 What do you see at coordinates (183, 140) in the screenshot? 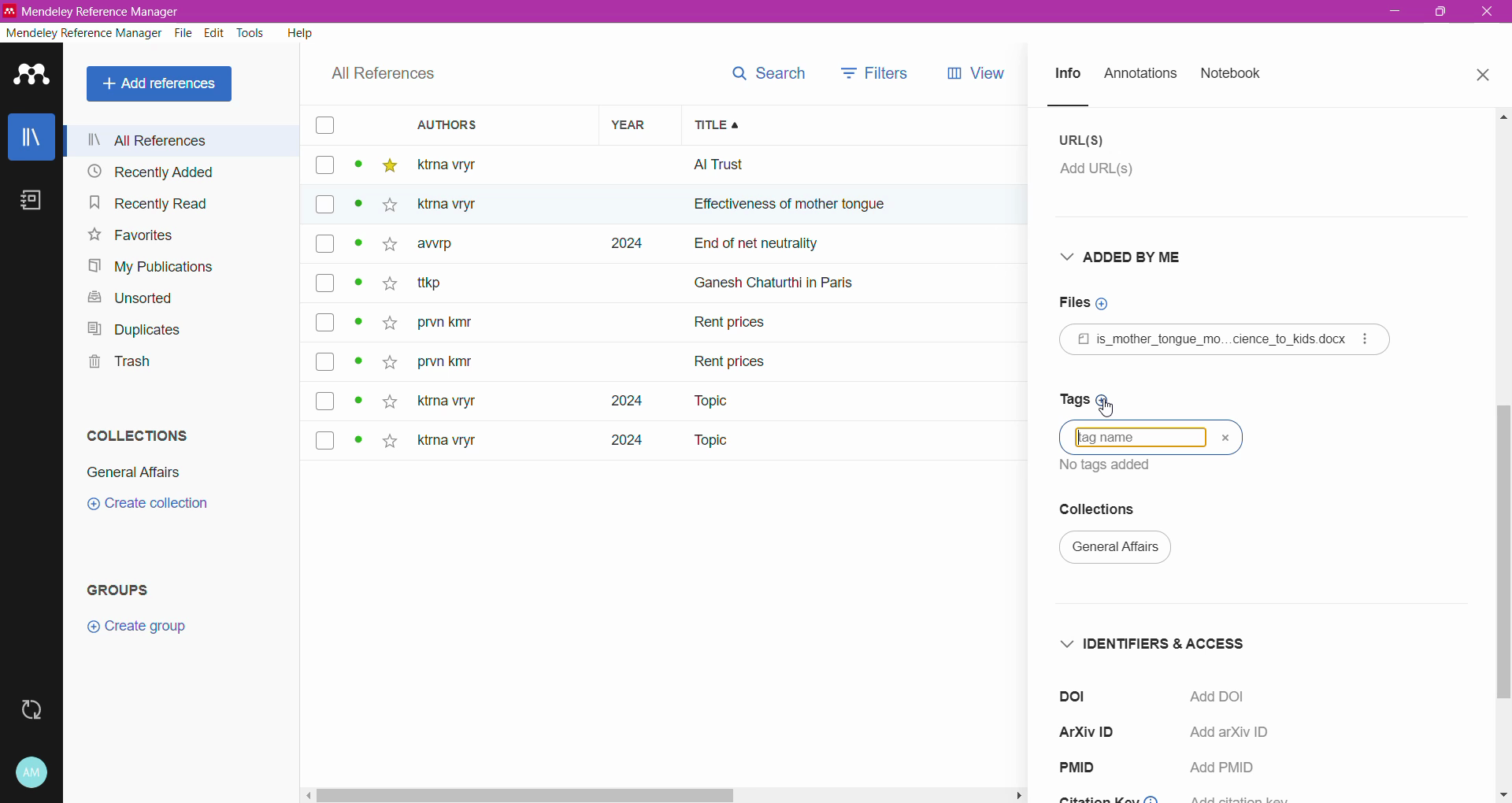
I see `All References` at bounding box center [183, 140].